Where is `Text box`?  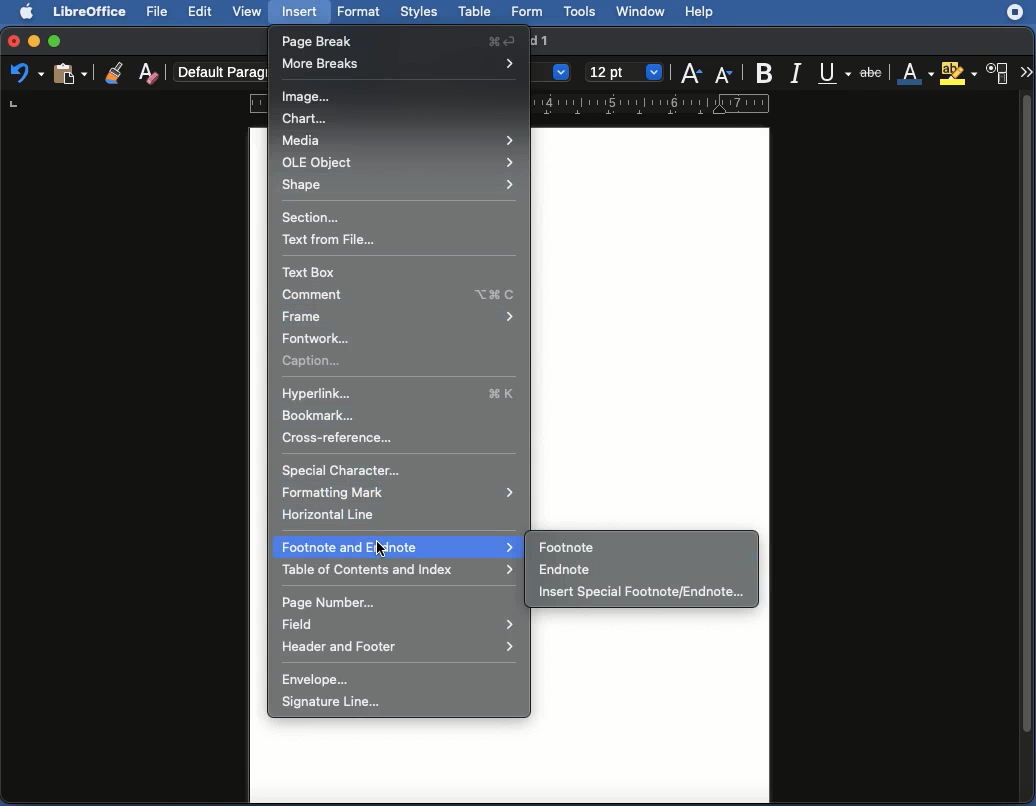 Text box is located at coordinates (309, 271).